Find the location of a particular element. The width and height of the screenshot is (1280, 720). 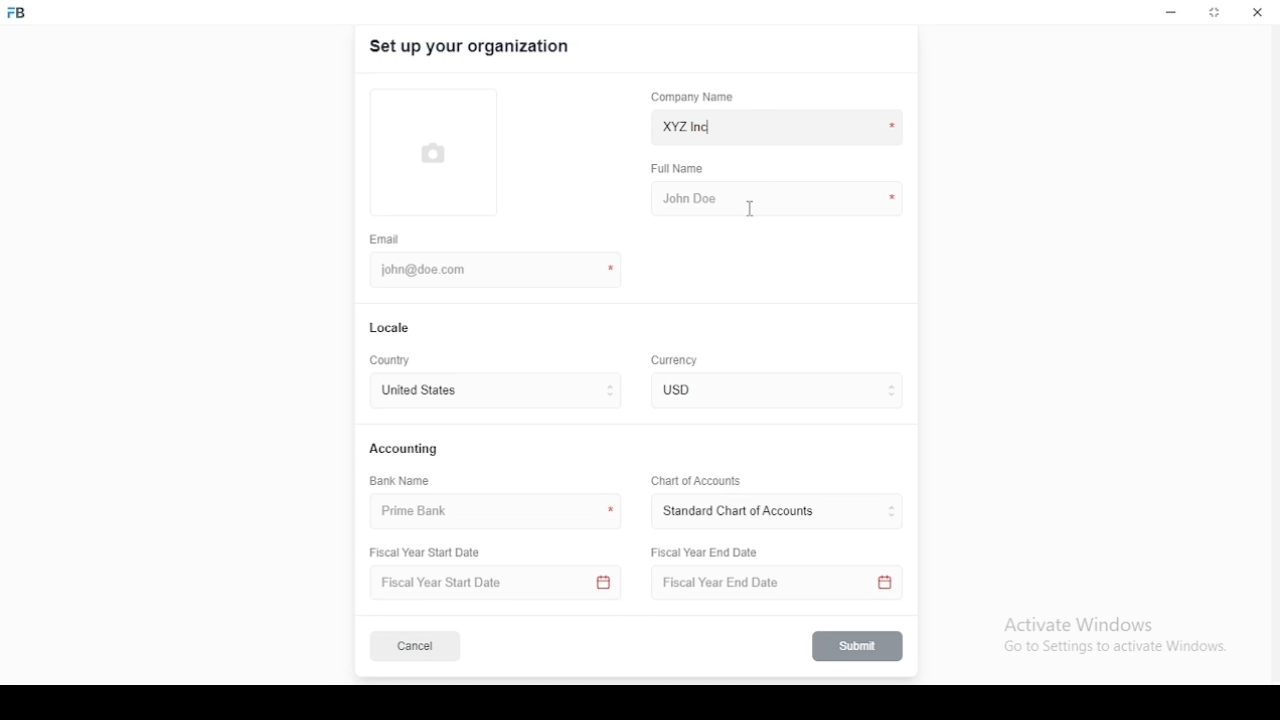

accounting is located at coordinates (405, 448).